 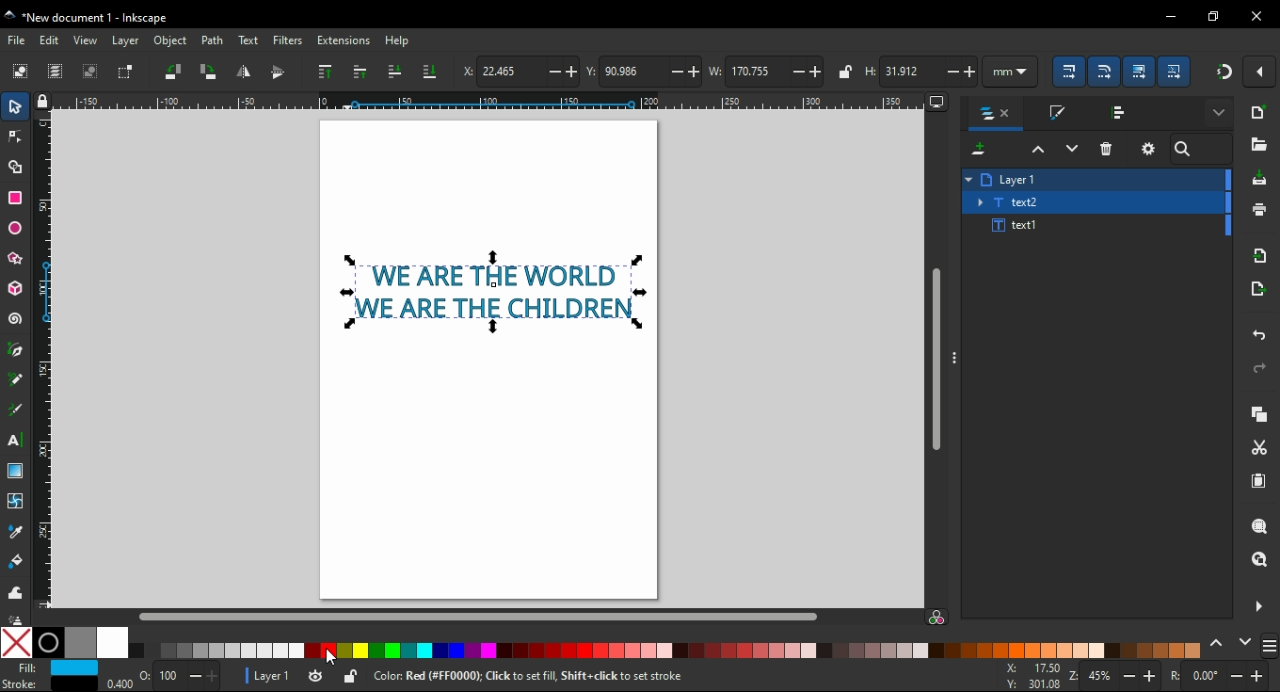 I want to click on stroke and fill, so click(x=1057, y=112).